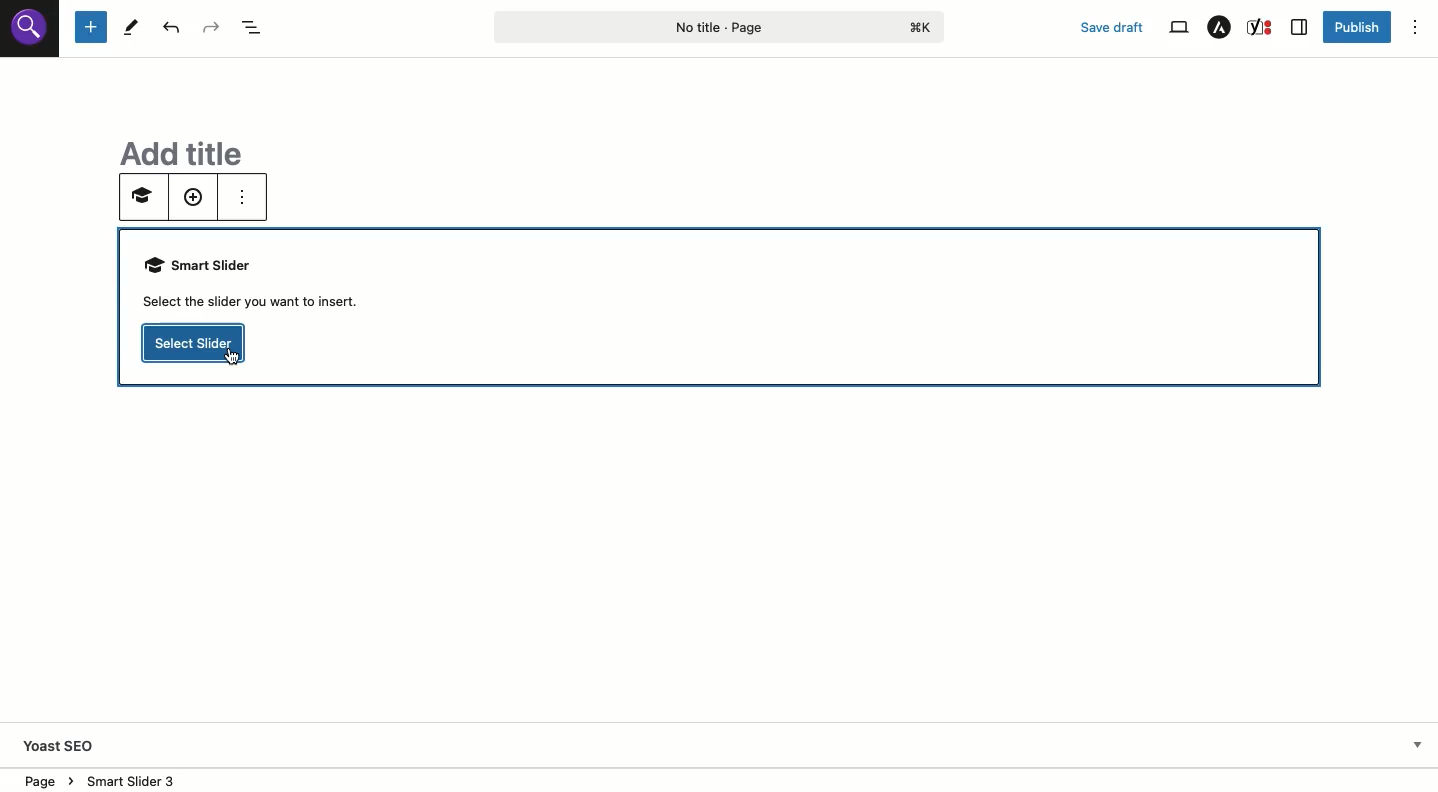 This screenshot has height=792, width=1438. Describe the element at coordinates (1300, 27) in the screenshot. I see `Sidebar` at that location.